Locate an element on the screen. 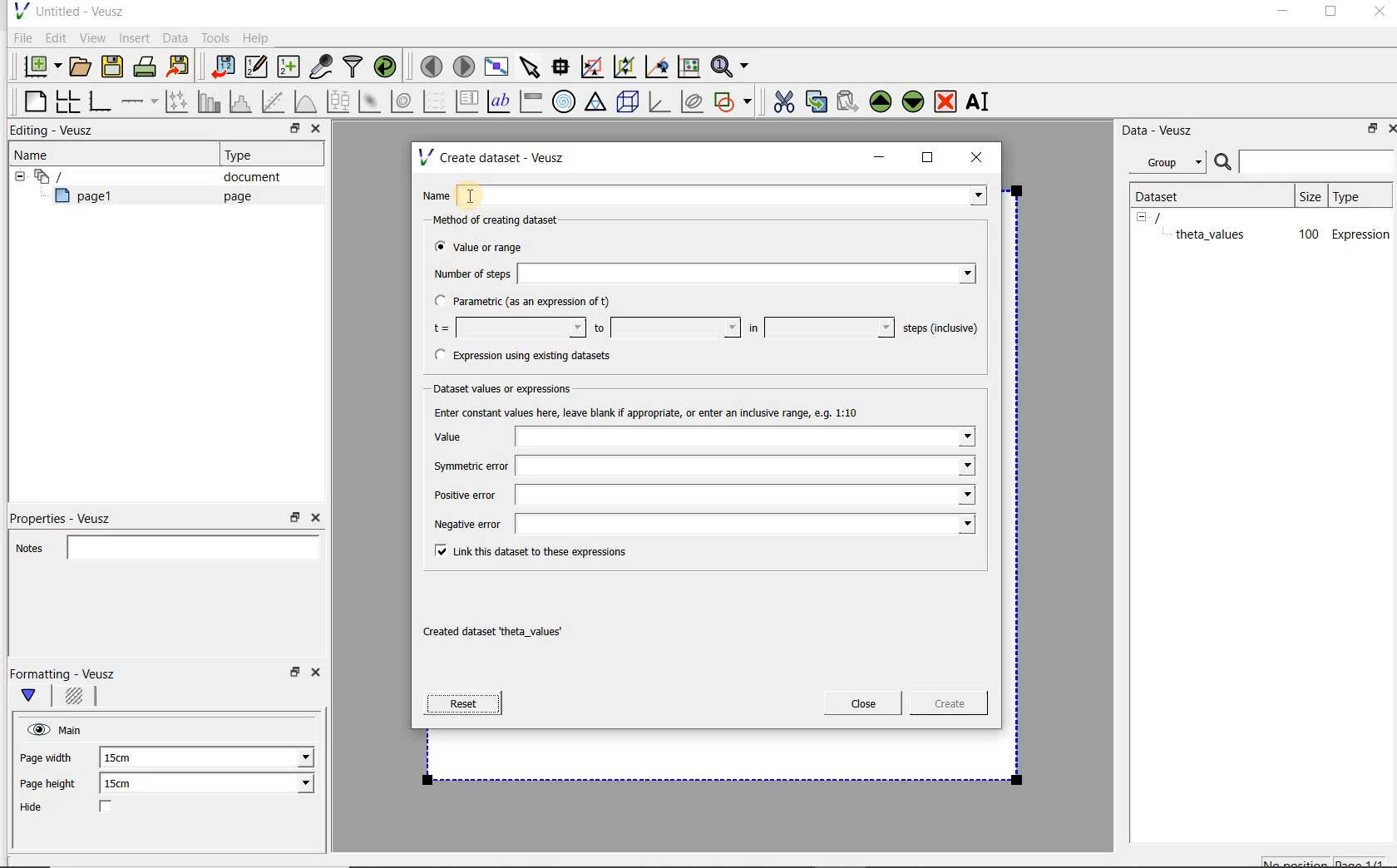 The height and width of the screenshot is (868, 1397). restore down is located at coordinates (1368, 131).